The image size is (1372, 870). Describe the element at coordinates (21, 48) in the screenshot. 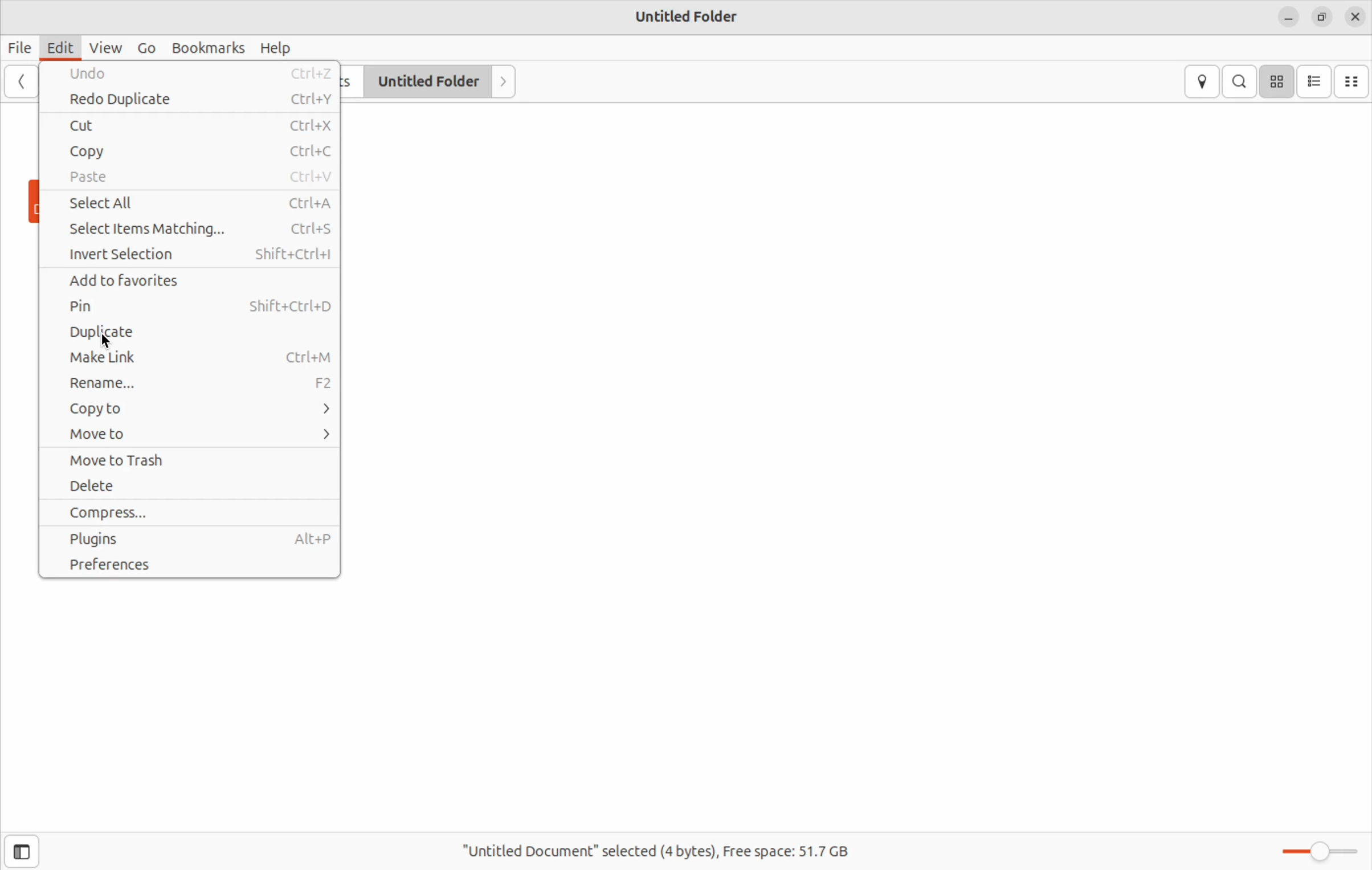

I see `File` at that location.